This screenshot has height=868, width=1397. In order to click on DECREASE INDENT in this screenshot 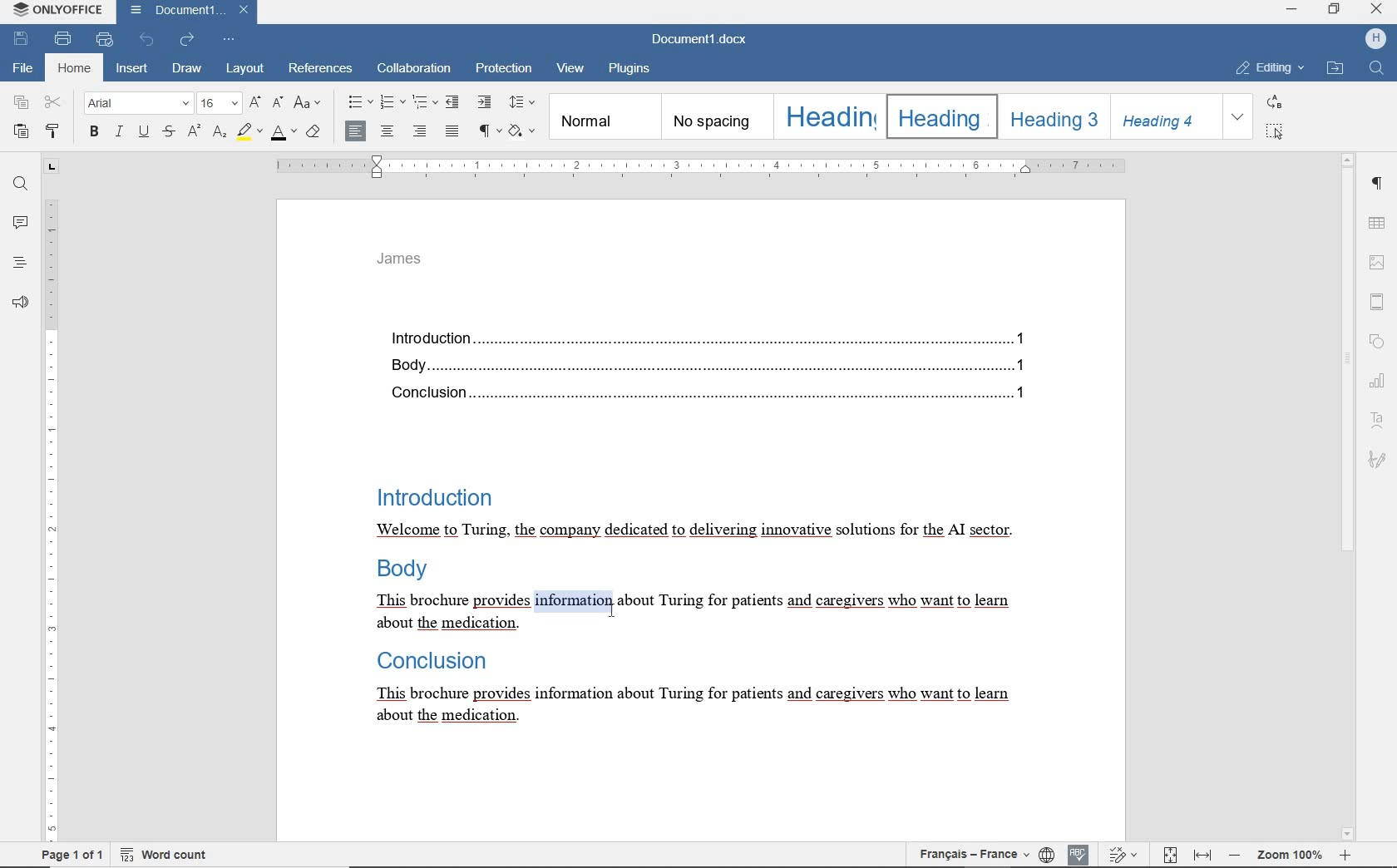, I will do `click(455, 101)`.